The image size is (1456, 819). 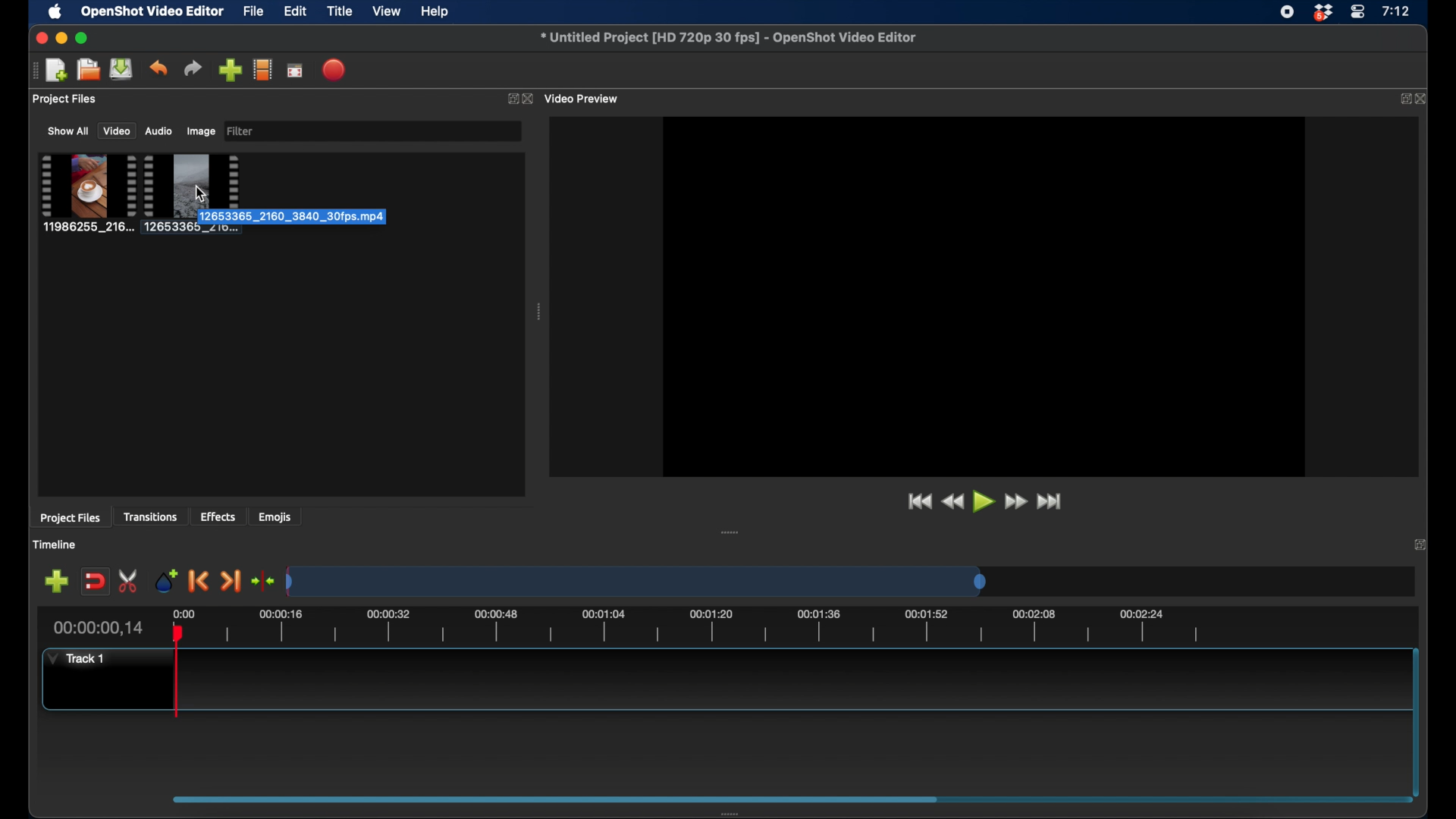 I want to click on fast forward, so click(x=1018, y=502).